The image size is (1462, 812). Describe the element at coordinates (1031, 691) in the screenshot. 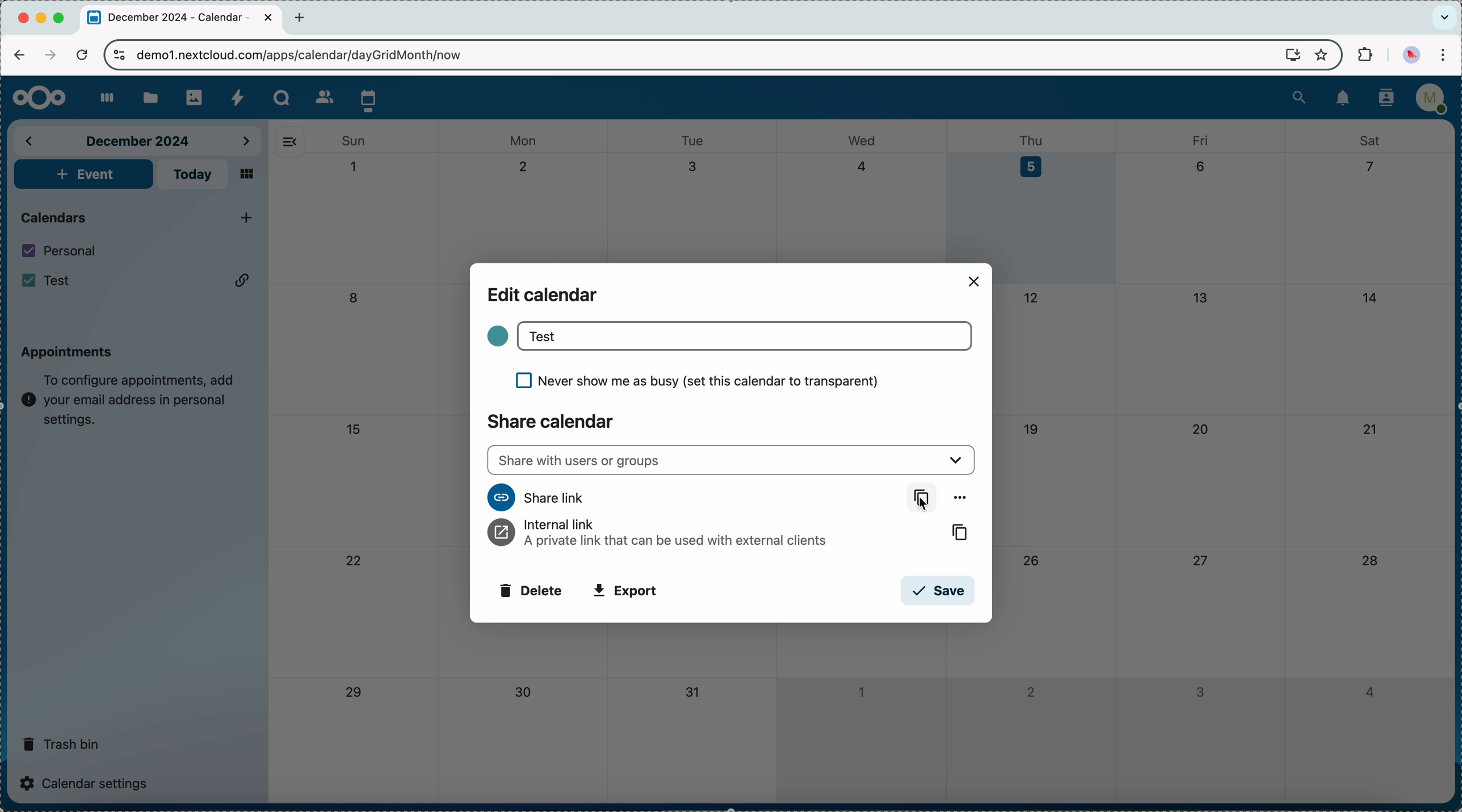

I see `2` at that location.